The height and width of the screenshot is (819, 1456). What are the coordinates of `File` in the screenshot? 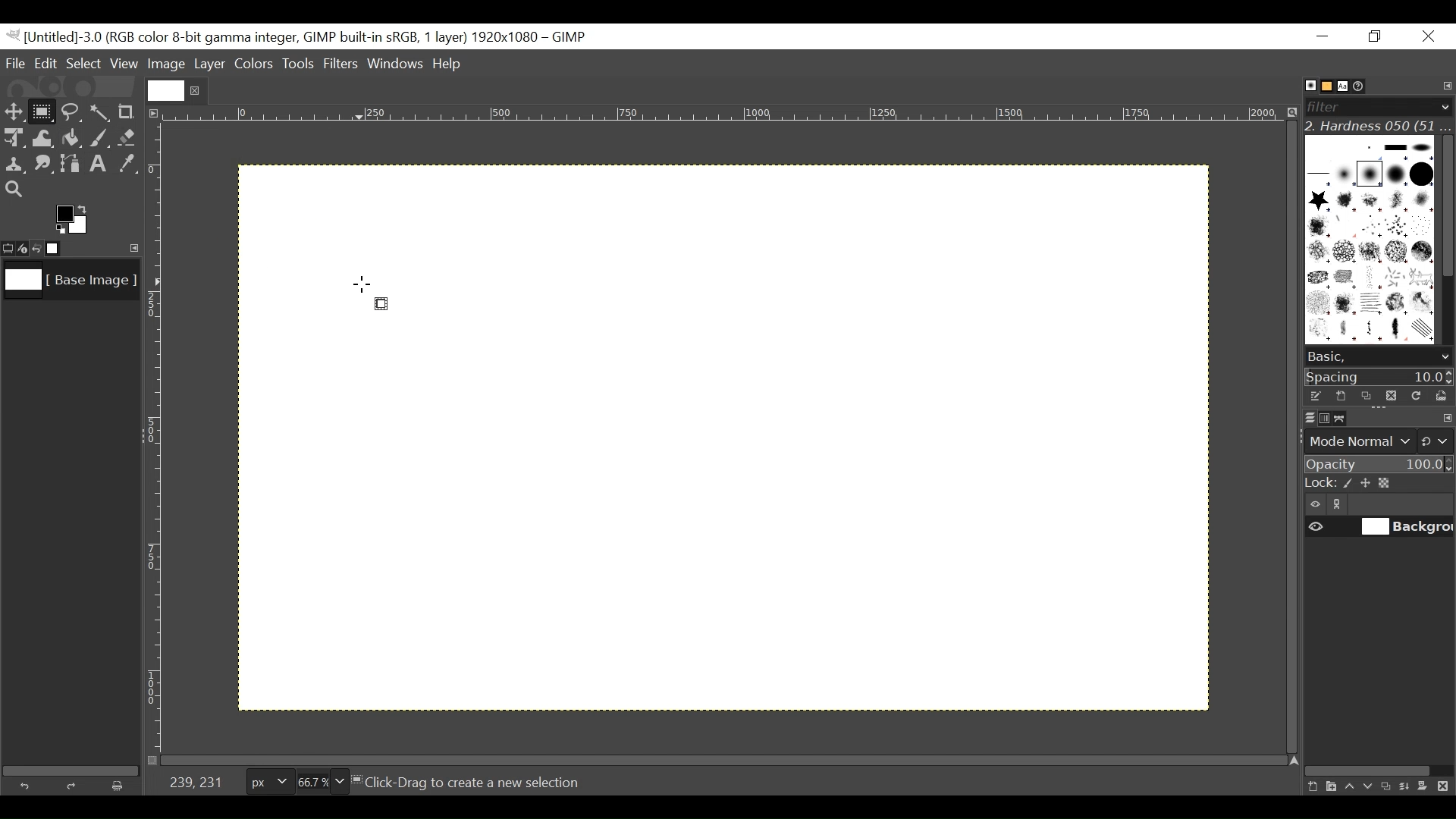 It's located at (17, 63).